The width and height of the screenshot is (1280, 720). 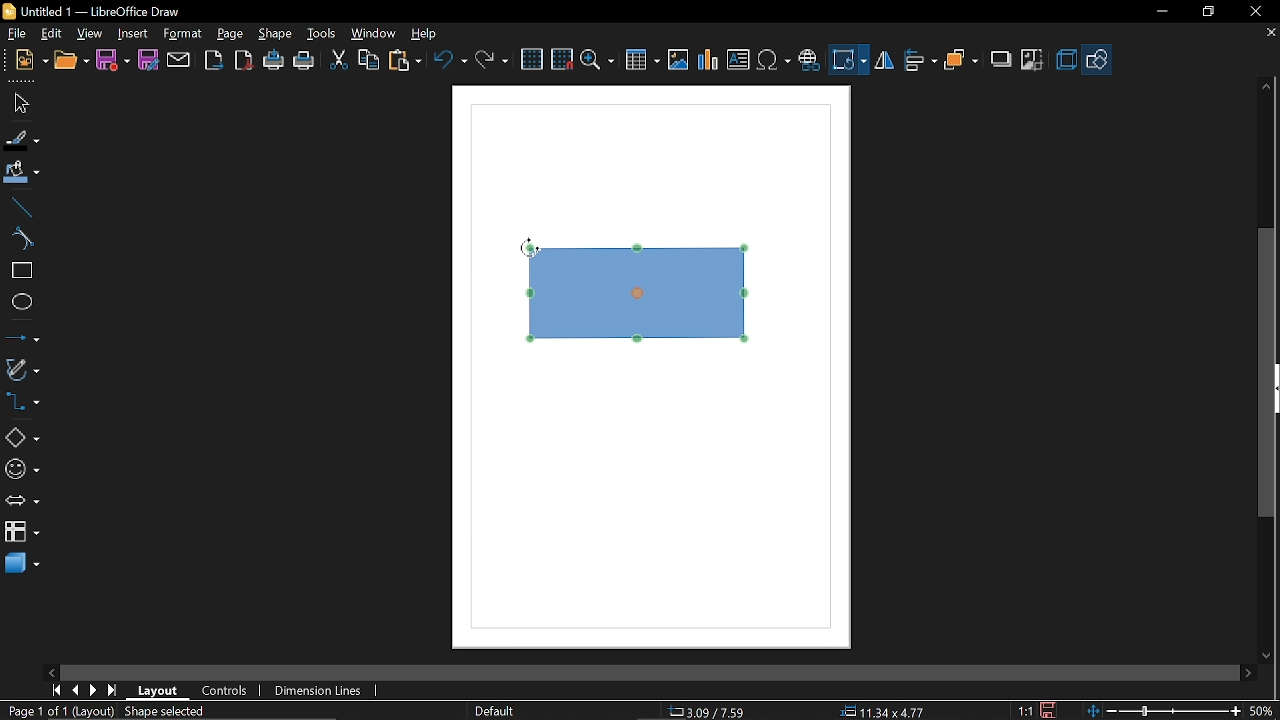 I want to click on Zoom, so click(x=597, y=61).